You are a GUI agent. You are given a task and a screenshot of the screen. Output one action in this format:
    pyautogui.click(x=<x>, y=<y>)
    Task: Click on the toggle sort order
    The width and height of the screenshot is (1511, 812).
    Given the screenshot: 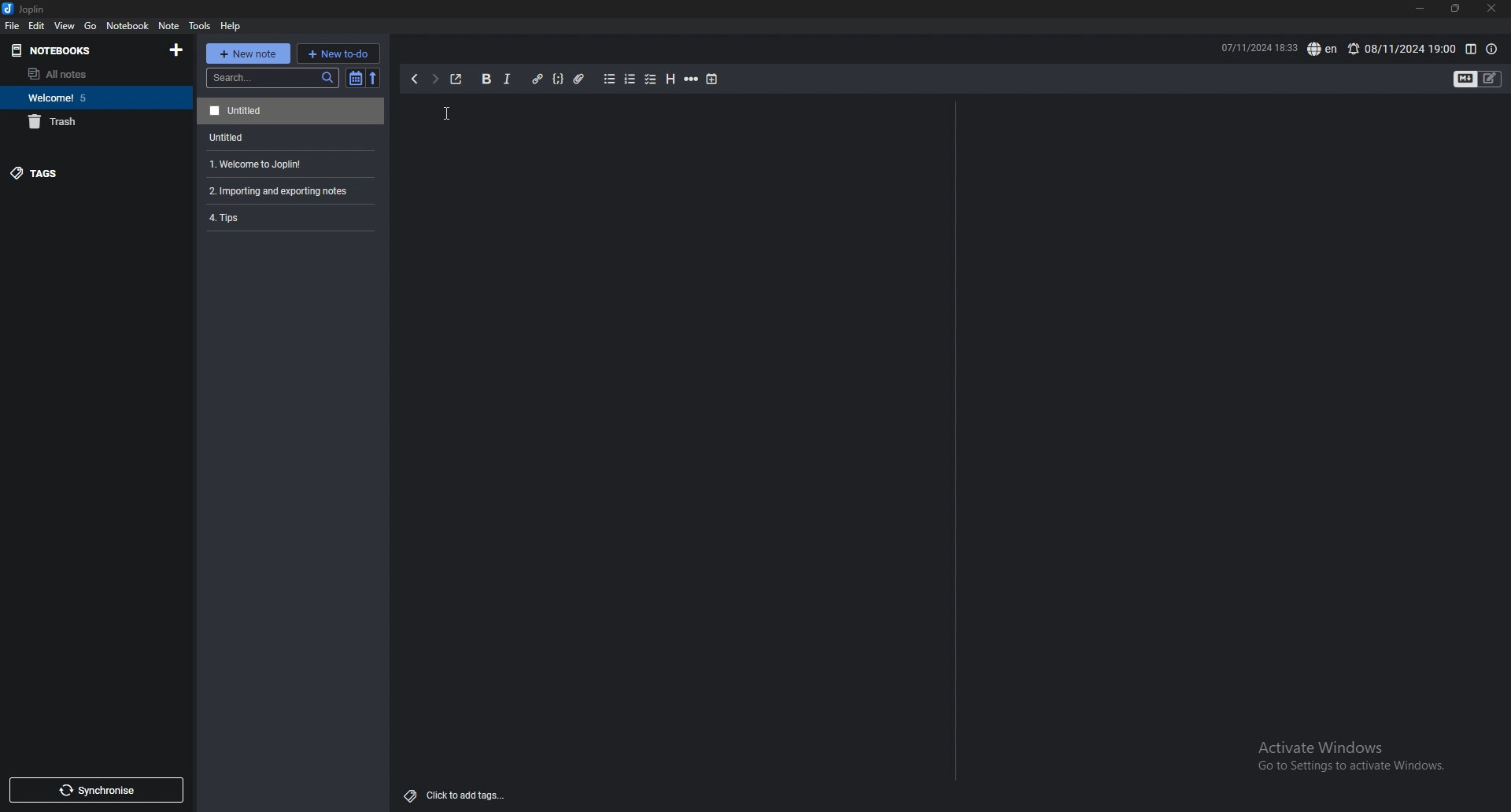 What is the action you would take?
    pyautogui.click(x=356, y=78)
    